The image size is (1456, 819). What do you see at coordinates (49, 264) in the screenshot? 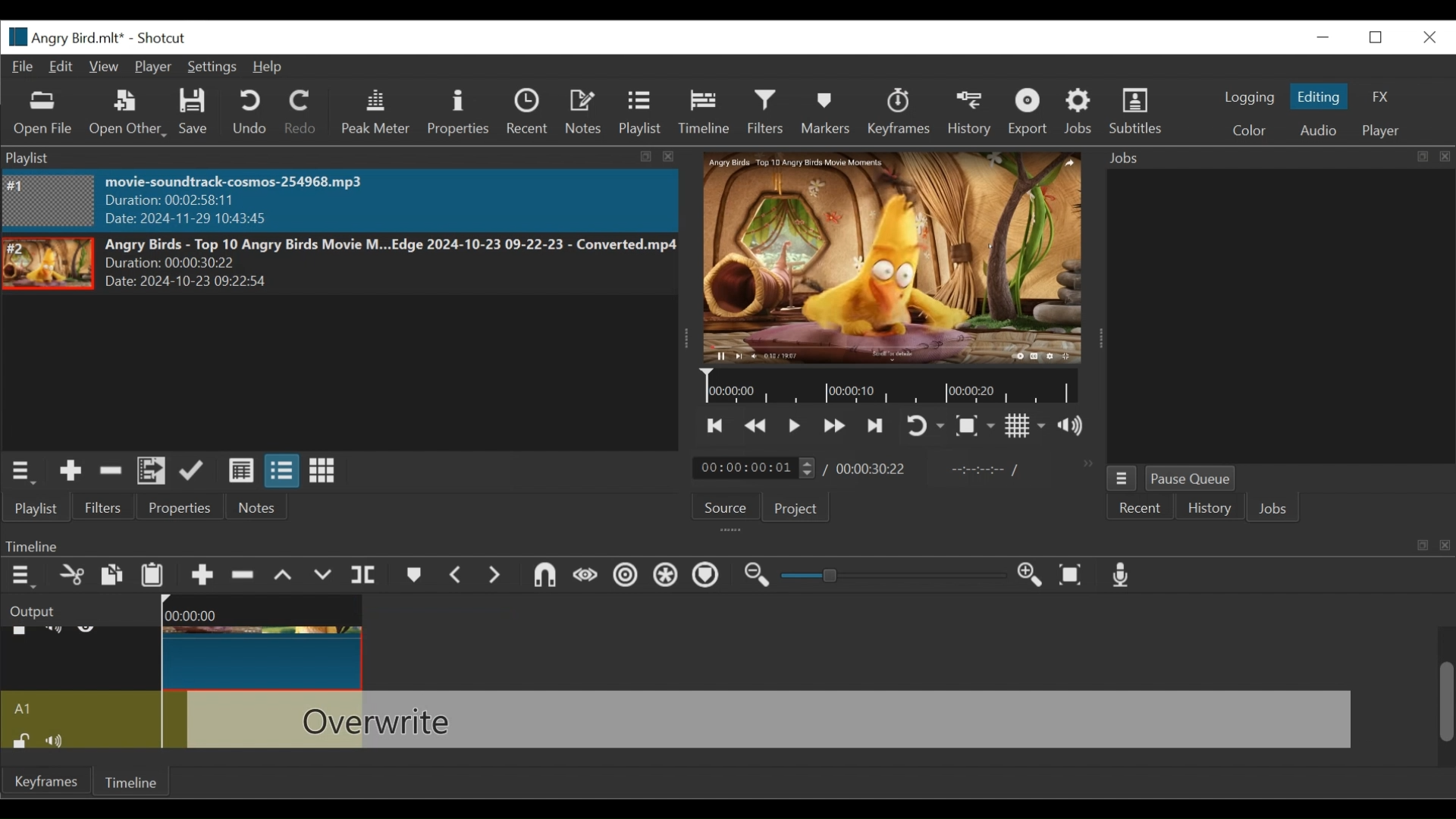
I see `Image` at bounding box center [49, 264].